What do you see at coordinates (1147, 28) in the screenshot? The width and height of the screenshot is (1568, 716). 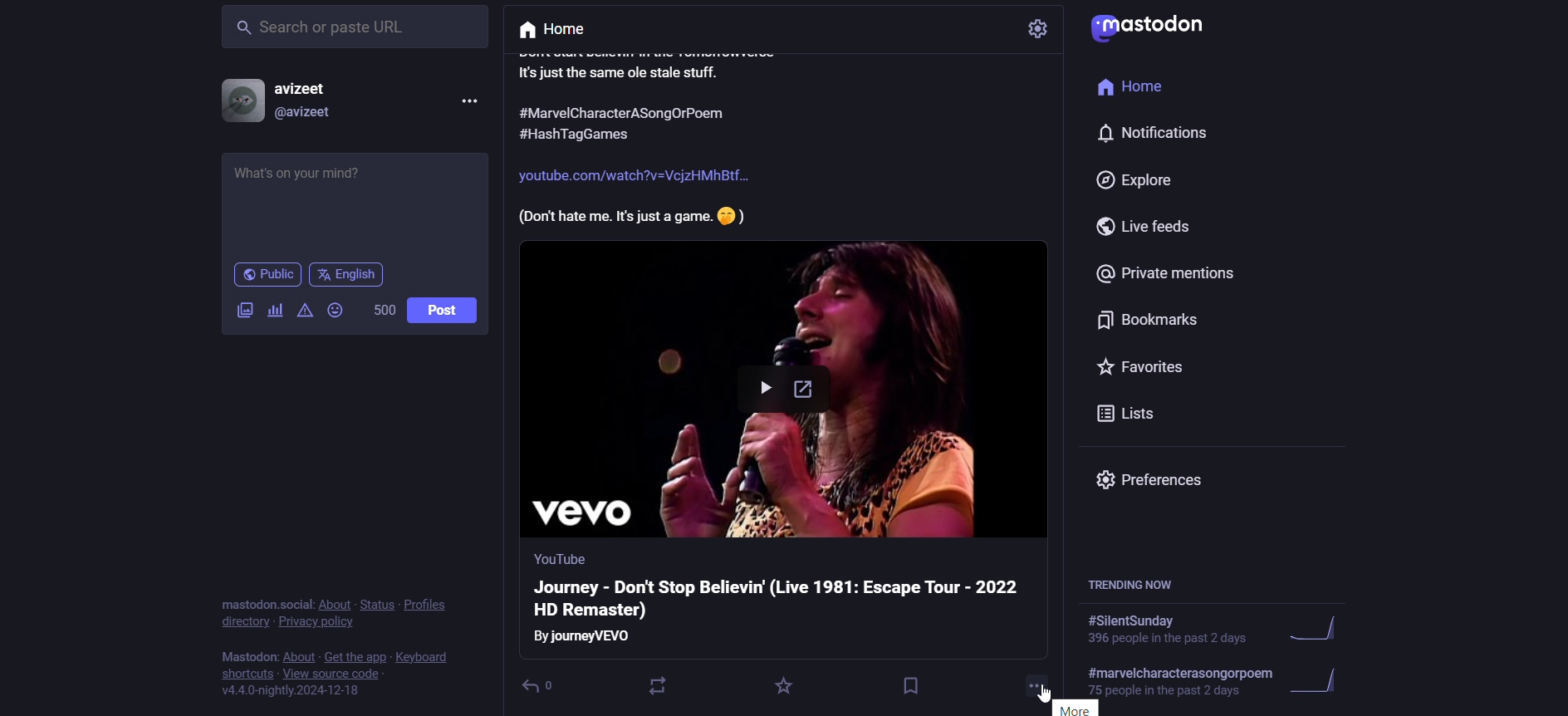 I see `logo` at bounding box center [1147, 28].